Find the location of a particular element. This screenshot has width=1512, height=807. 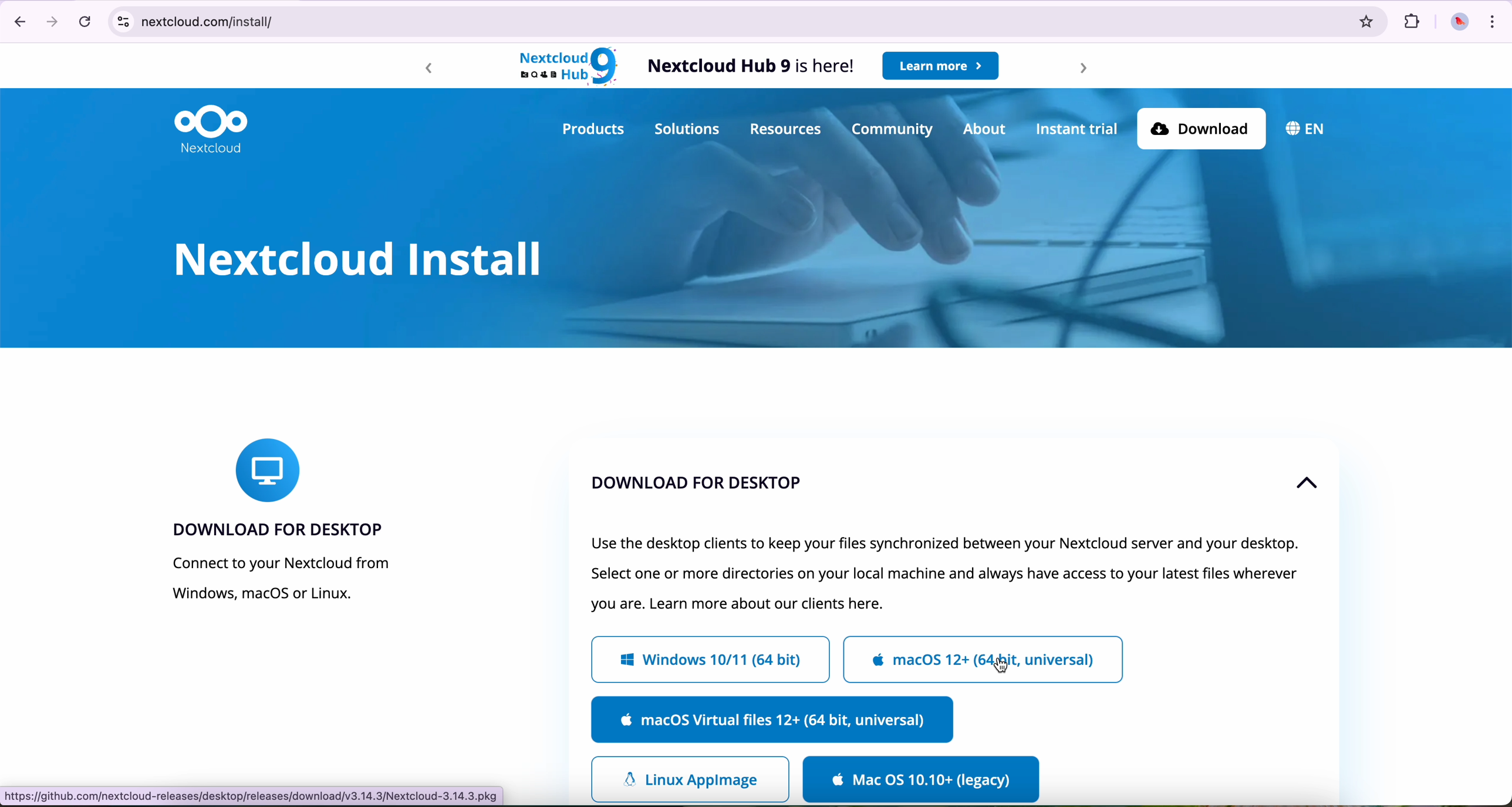

resources is located at coordinates (787, 130).